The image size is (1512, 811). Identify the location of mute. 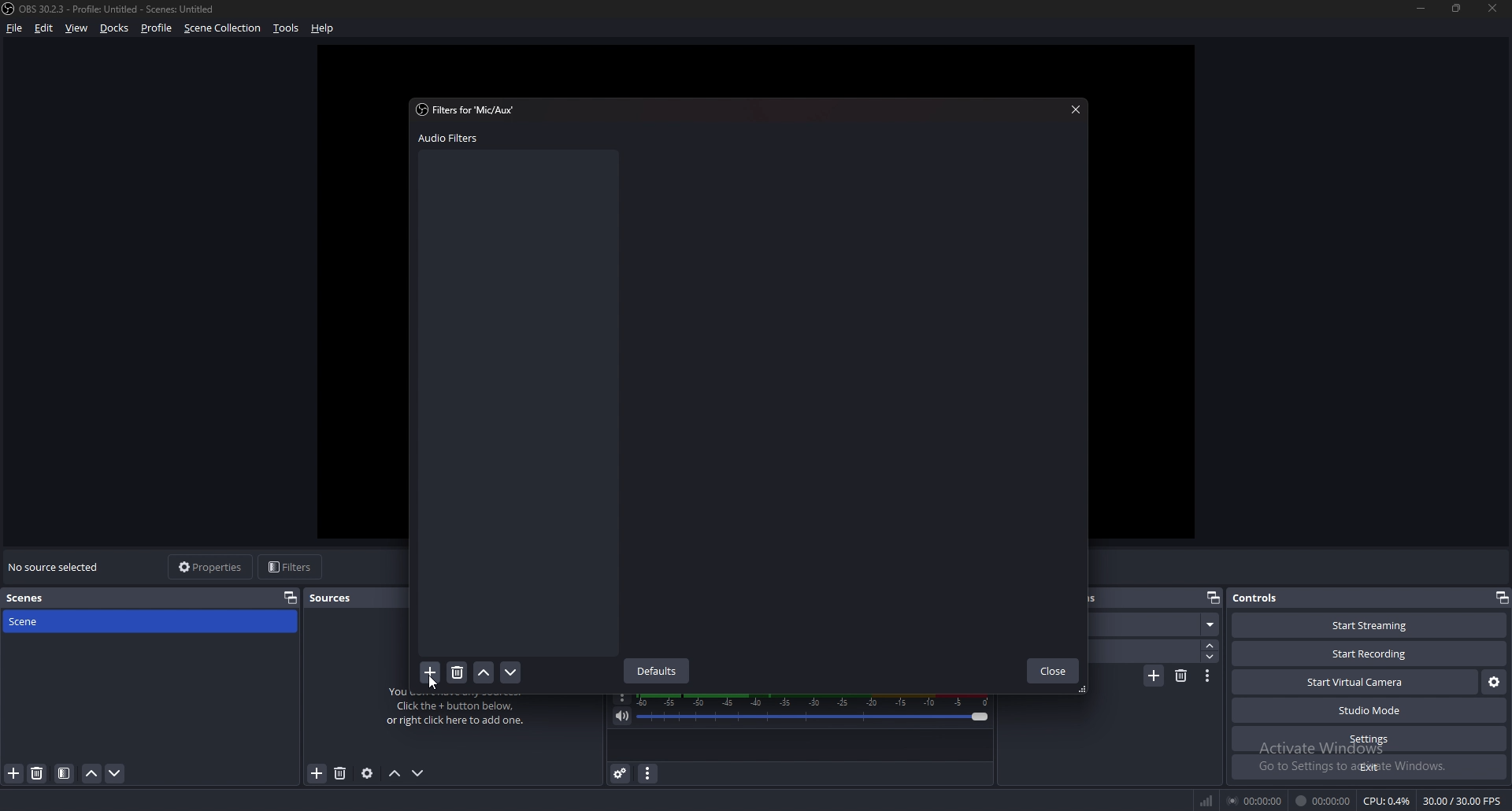
(622, 717).